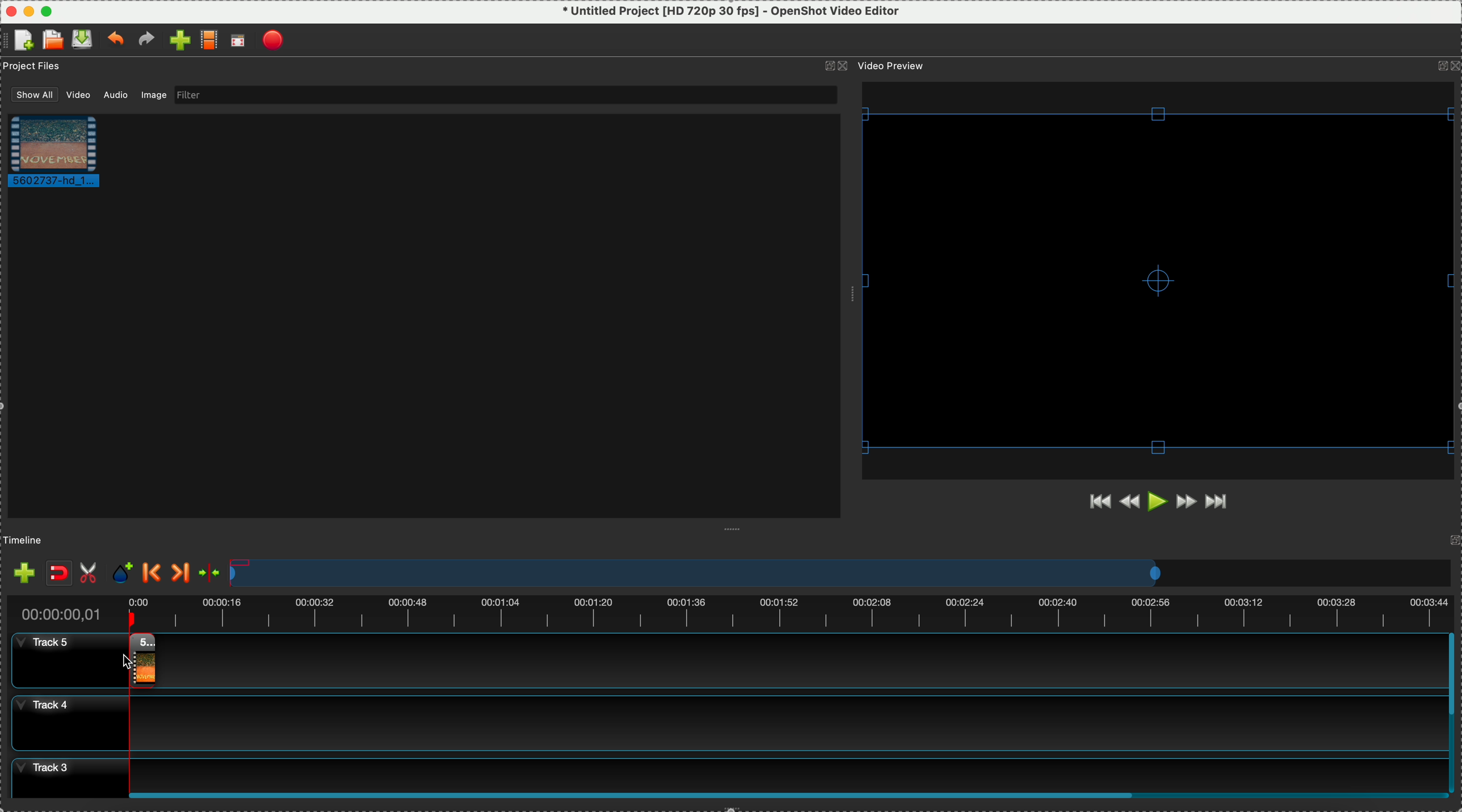 The height and width of the screenshot is (812, 1462). What do you see at coordinates (737, 528) in the screenshot?
I see `Window Expanding` at bounding box center [737, 528].